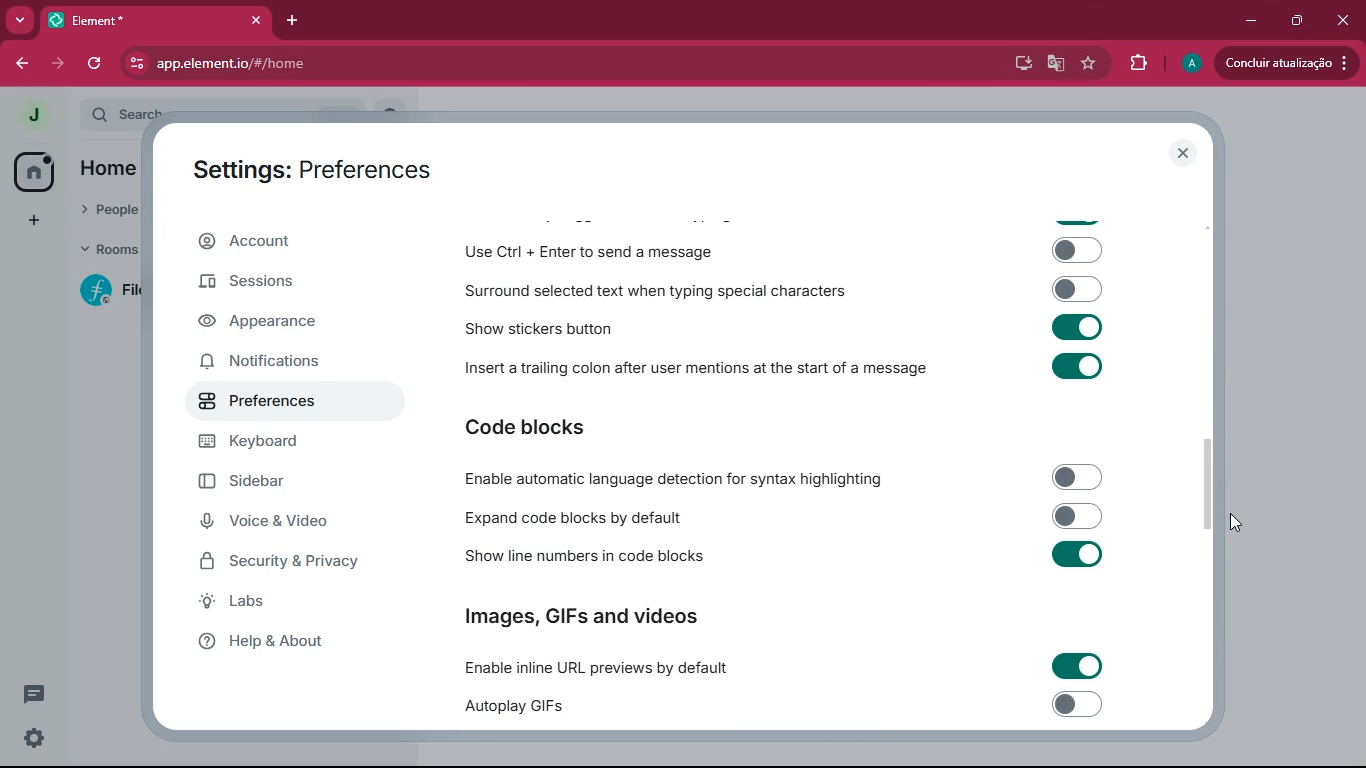  What do you see at coordinates (781, 327) in the screenshot?
I see `Show stickers button` at bounding box center [781, 327].